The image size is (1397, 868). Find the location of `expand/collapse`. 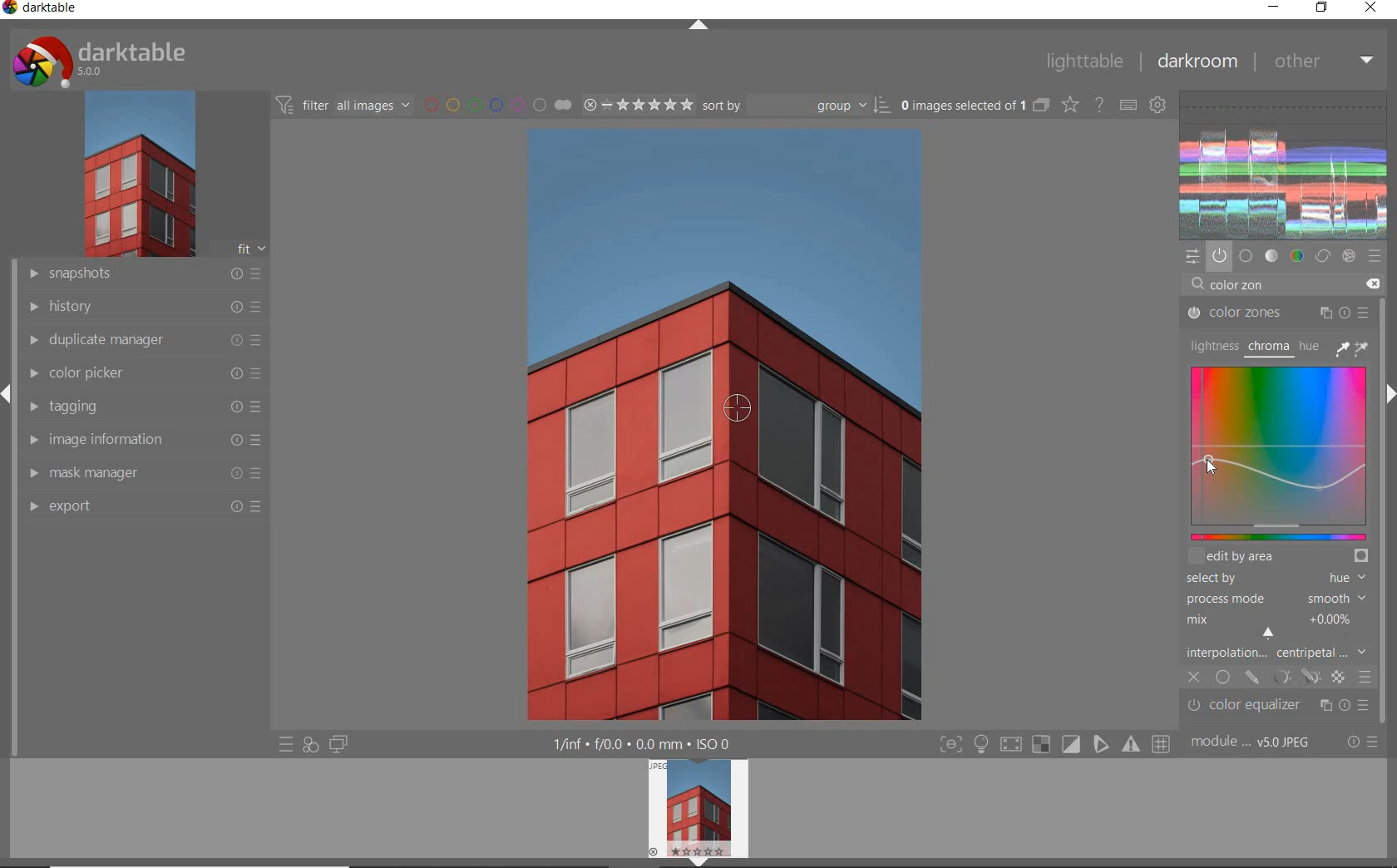

expand/collapse is located at coordinates (8, 392).